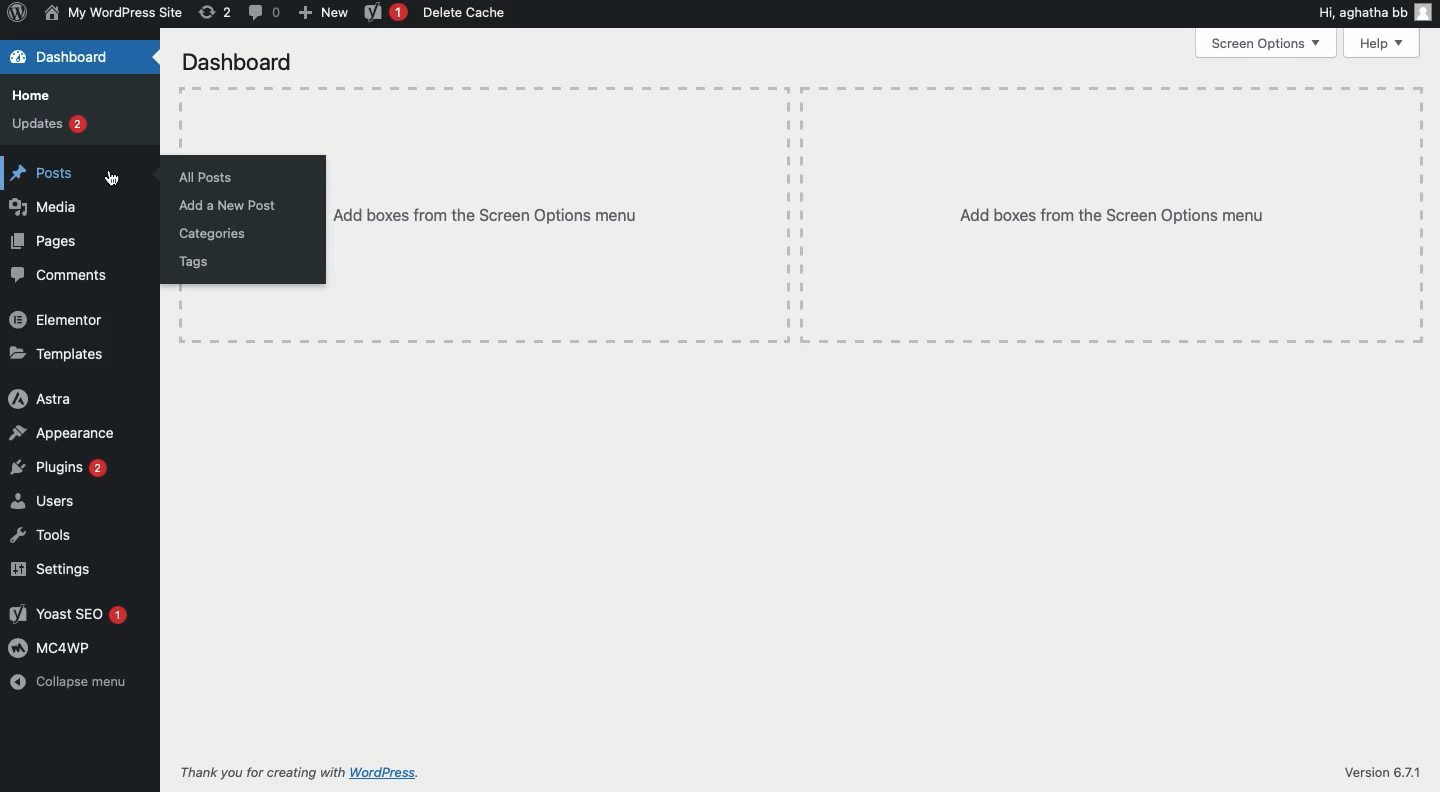 Image resolution: width=1440 pixels, height=792 pixels. I want to click on Templates, so click(62, 356).